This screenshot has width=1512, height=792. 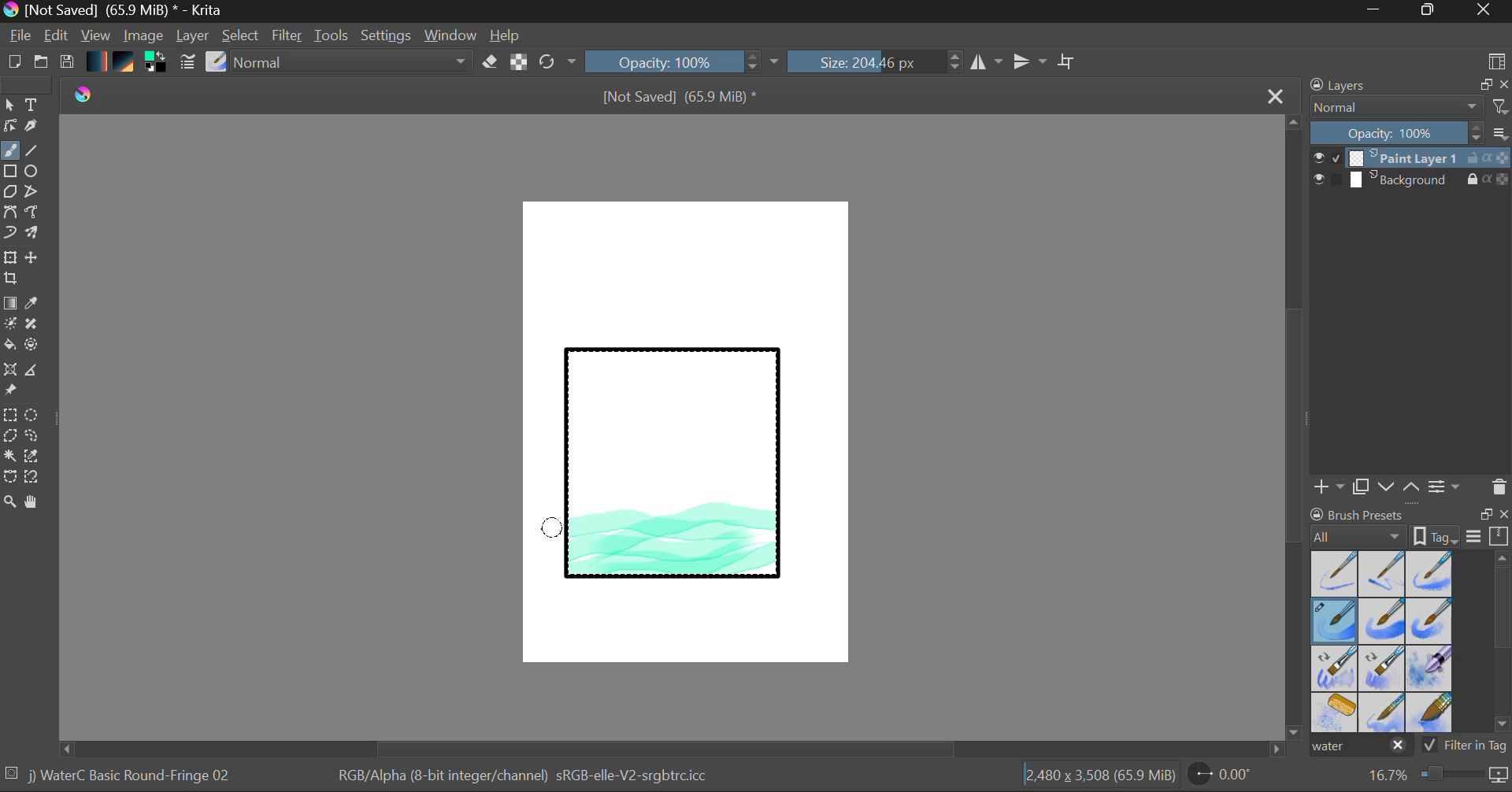 I want to click on Polygon, so click(x=9, y=192).